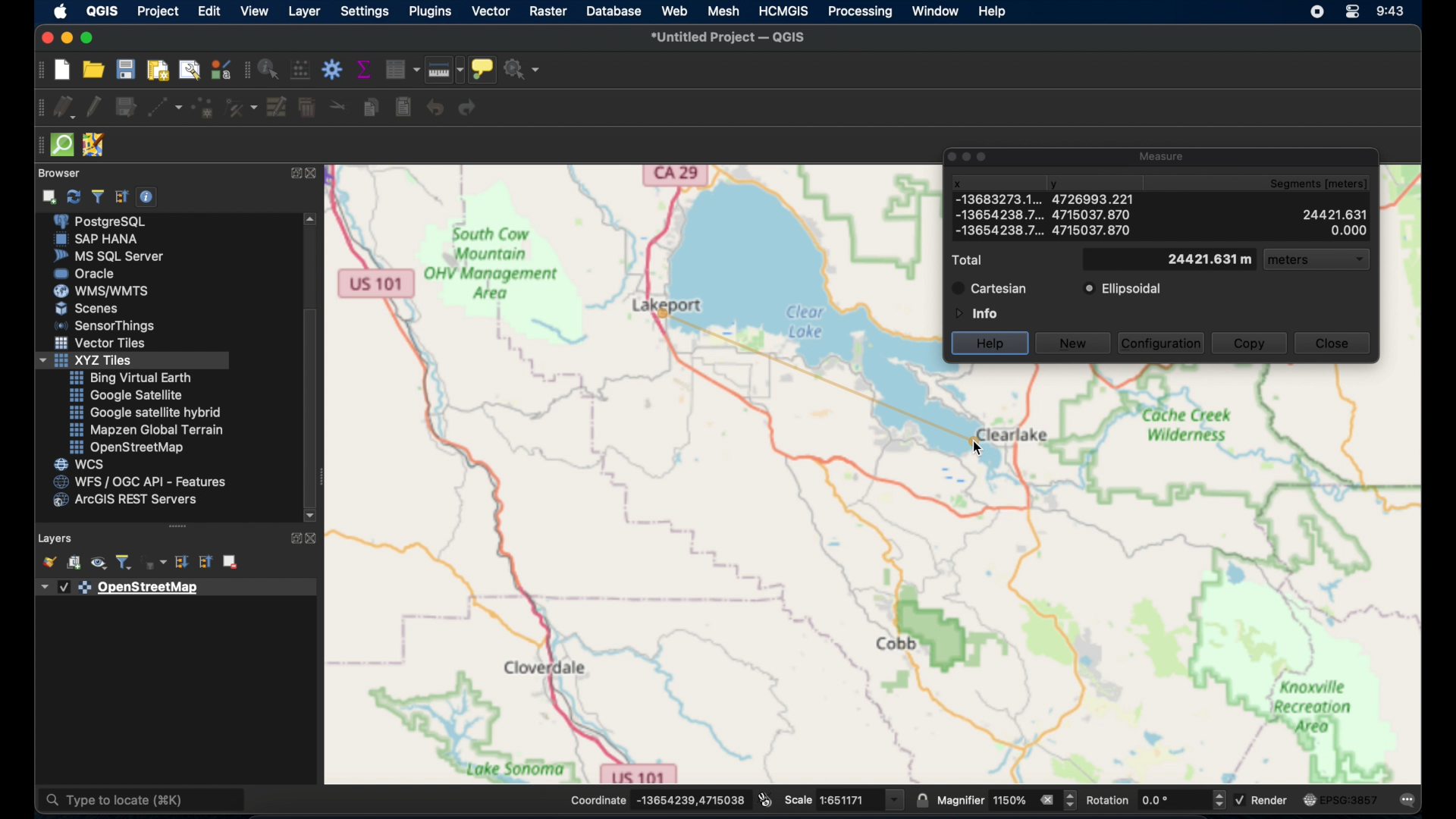 The width and height of the screenshot is (1456, 819). What do you see at coordinates (61, 11) in the screenshot?
I see `apple icon` at bounding box center [61, 11].